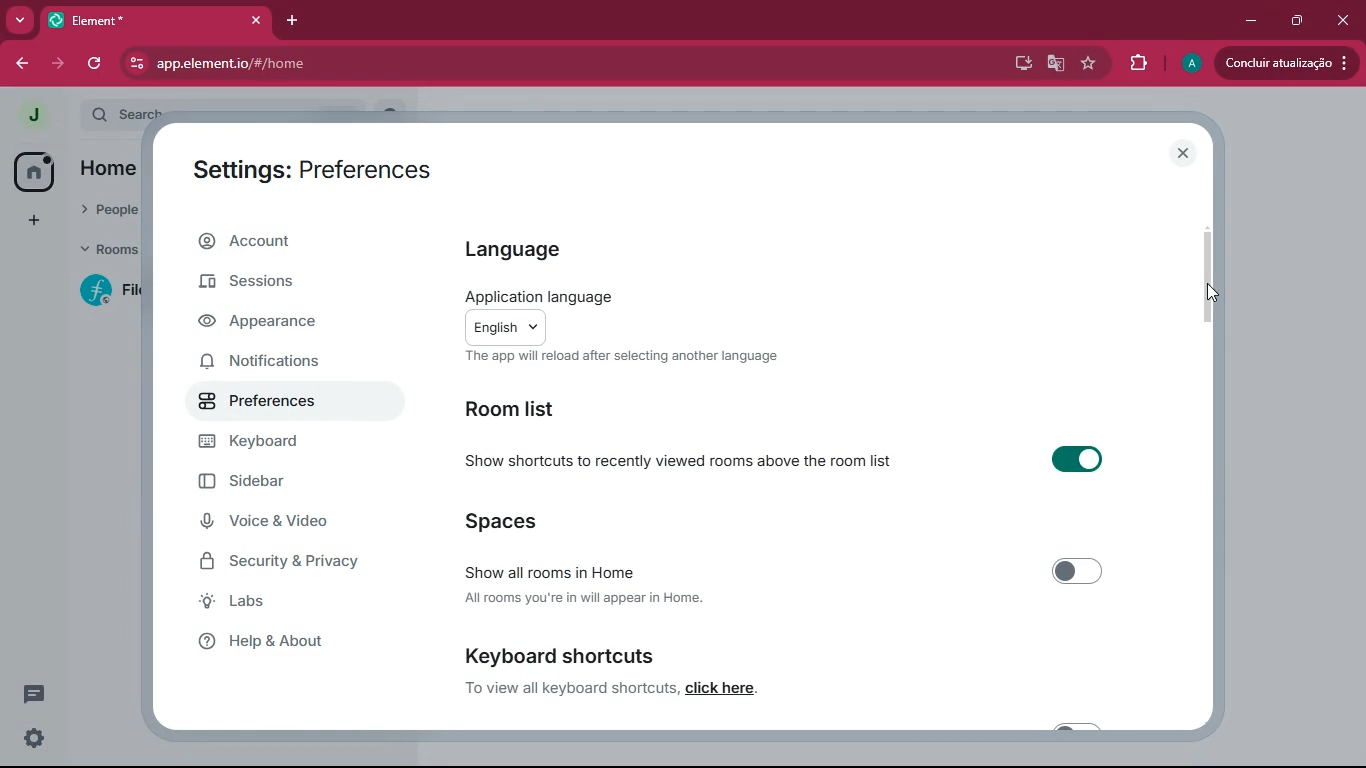 This screenshot has width=1366, height=768. What do you see at coordinates (94, 65) in the screenshot?
I see `refresh` at bounding box center [94, 65].